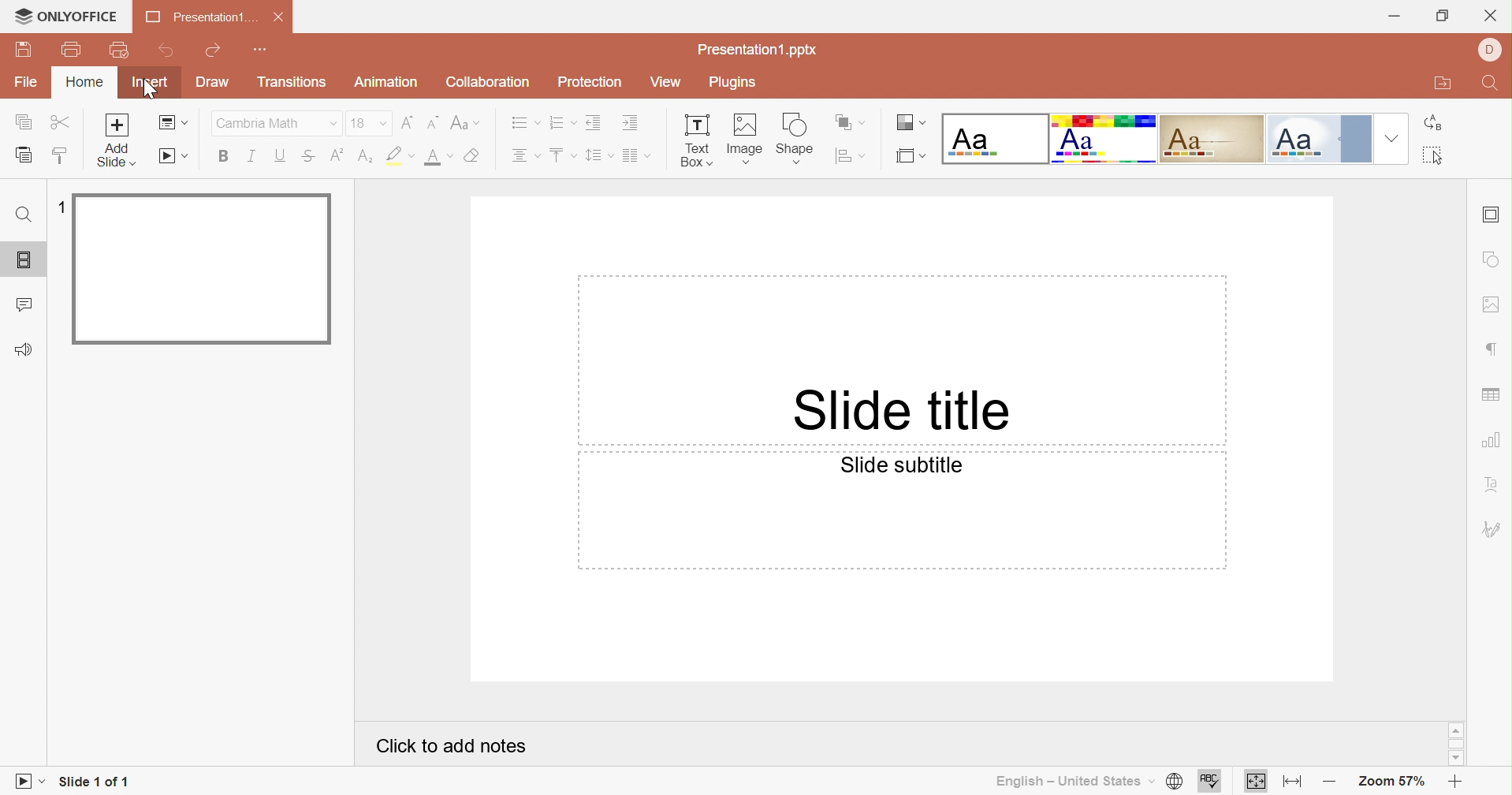  Describe the element at coordinates (383, 123) in the screenshot. I see `Drop Down` at that location.